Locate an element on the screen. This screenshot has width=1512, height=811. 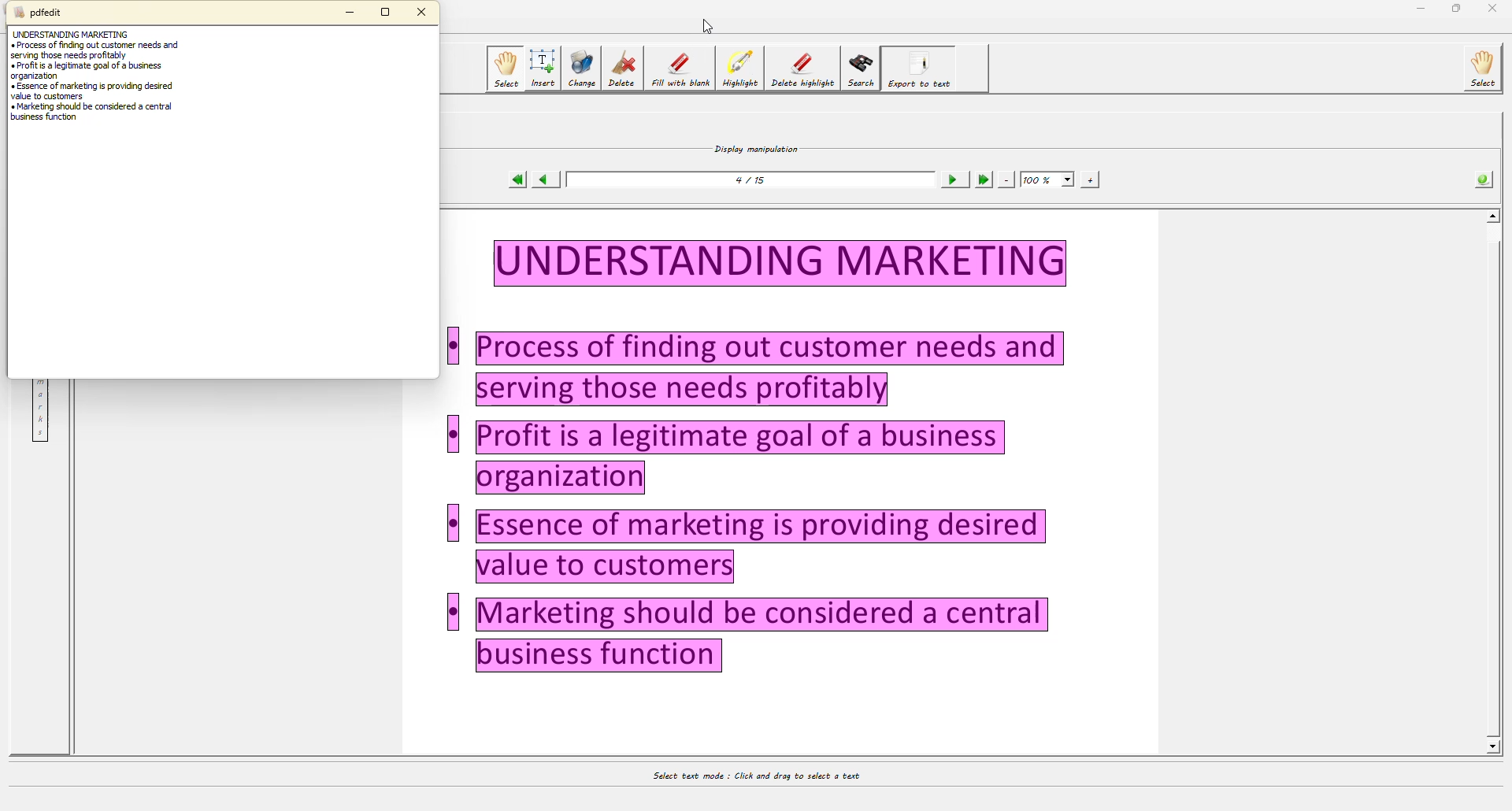
maximize is located at coordinates (386, 13).